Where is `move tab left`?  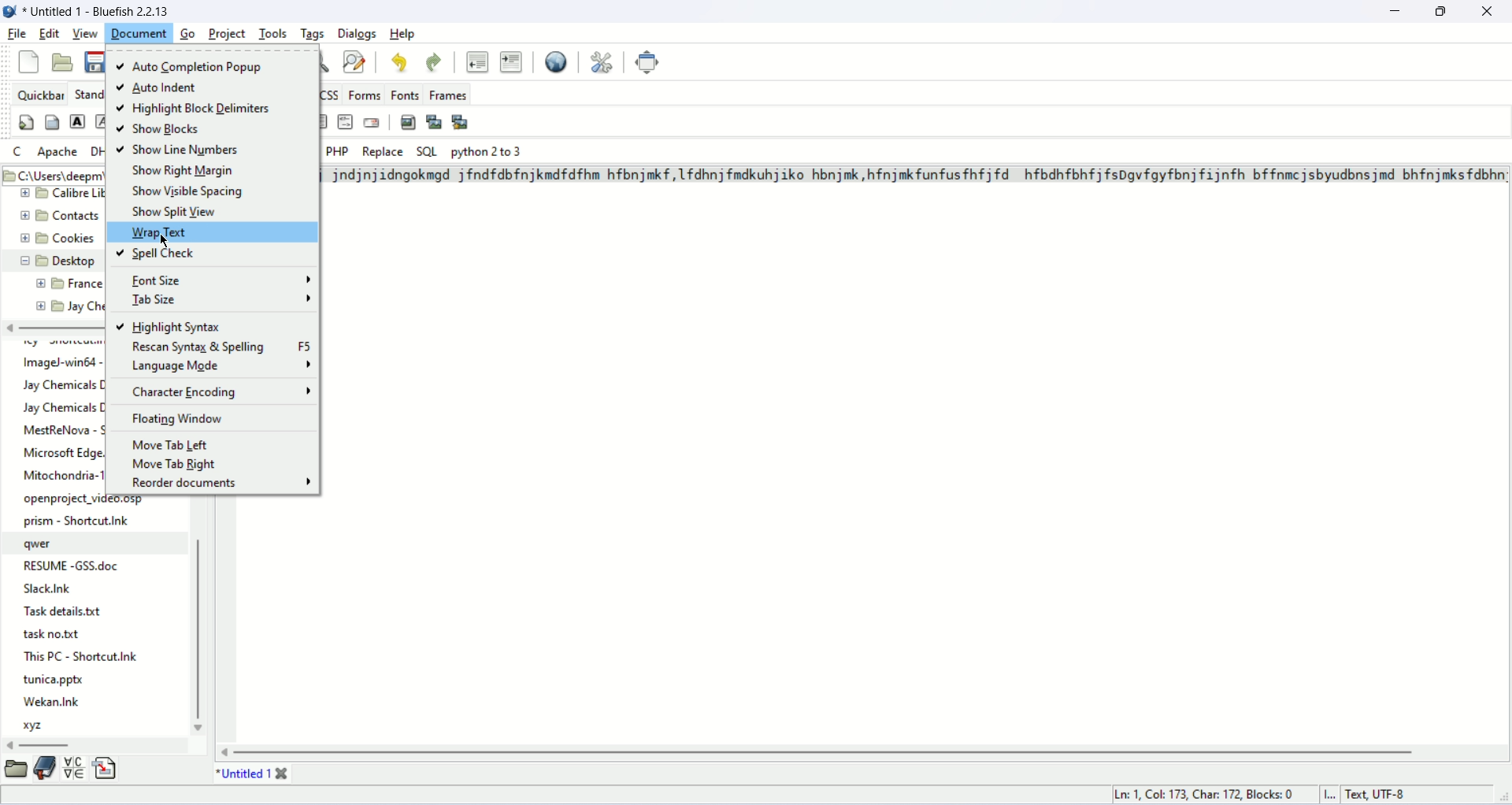
move tab left is located at coordinates (172, 445).